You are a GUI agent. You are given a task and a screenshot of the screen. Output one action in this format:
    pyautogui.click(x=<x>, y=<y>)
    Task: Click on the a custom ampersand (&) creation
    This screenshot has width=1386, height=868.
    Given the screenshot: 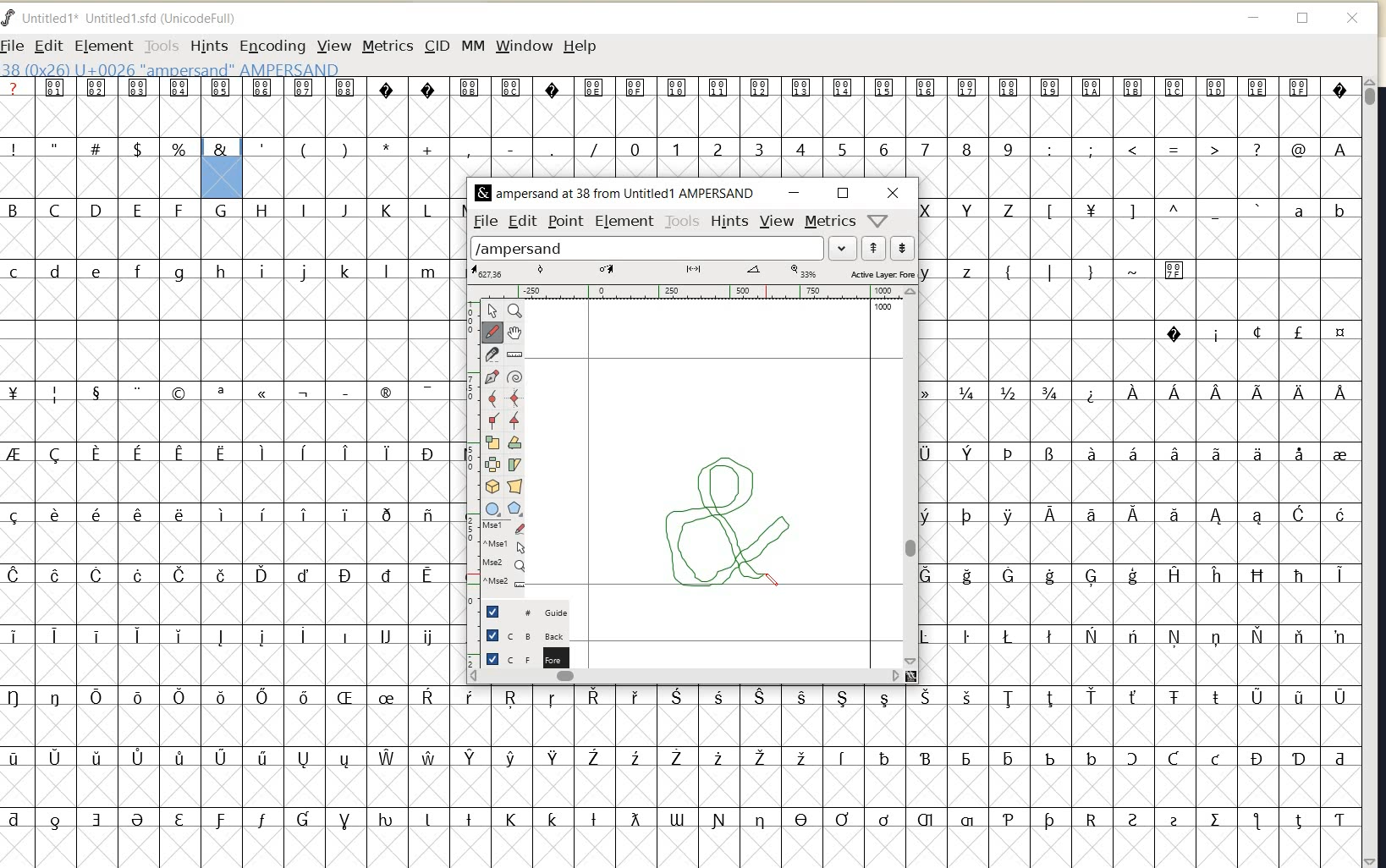 What is the action you would take?
    pyautogui.click(x=729, y=519)
    